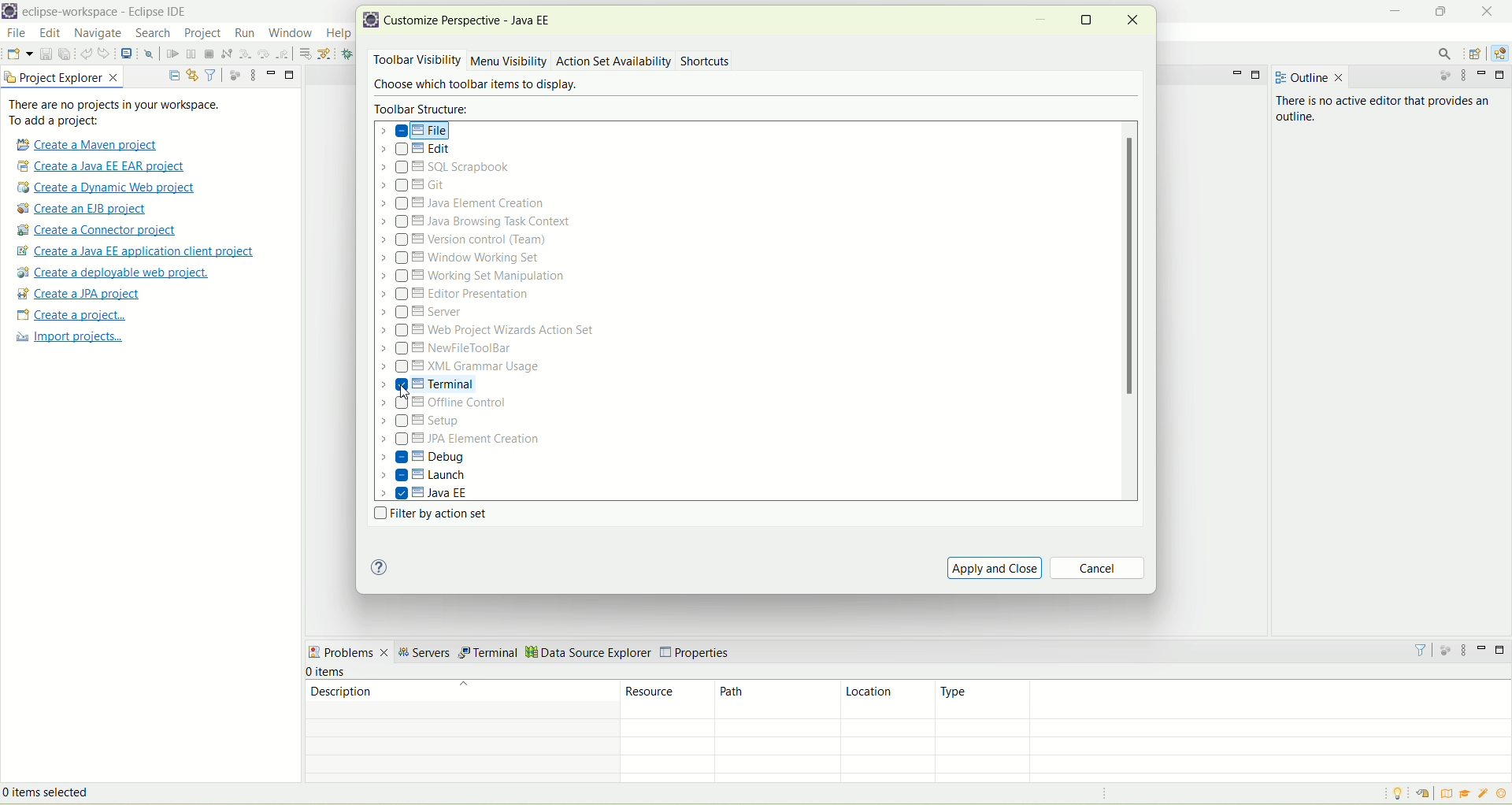 The width and height of the screenshot is (1512, 805). I want to click on offline control, so click(462, 406).